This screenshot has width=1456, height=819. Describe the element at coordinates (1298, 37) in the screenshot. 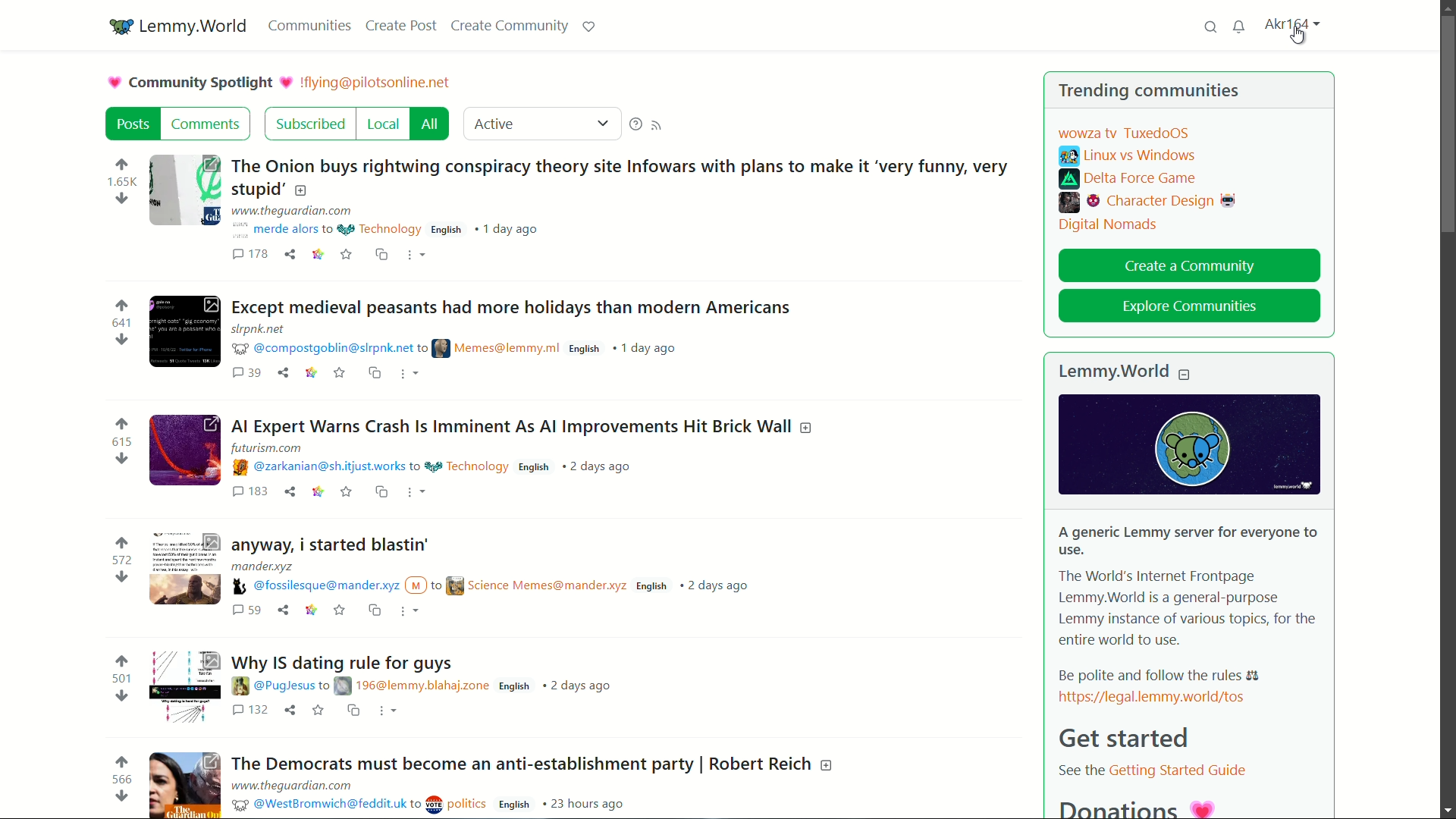

I see `cursor` at that location.